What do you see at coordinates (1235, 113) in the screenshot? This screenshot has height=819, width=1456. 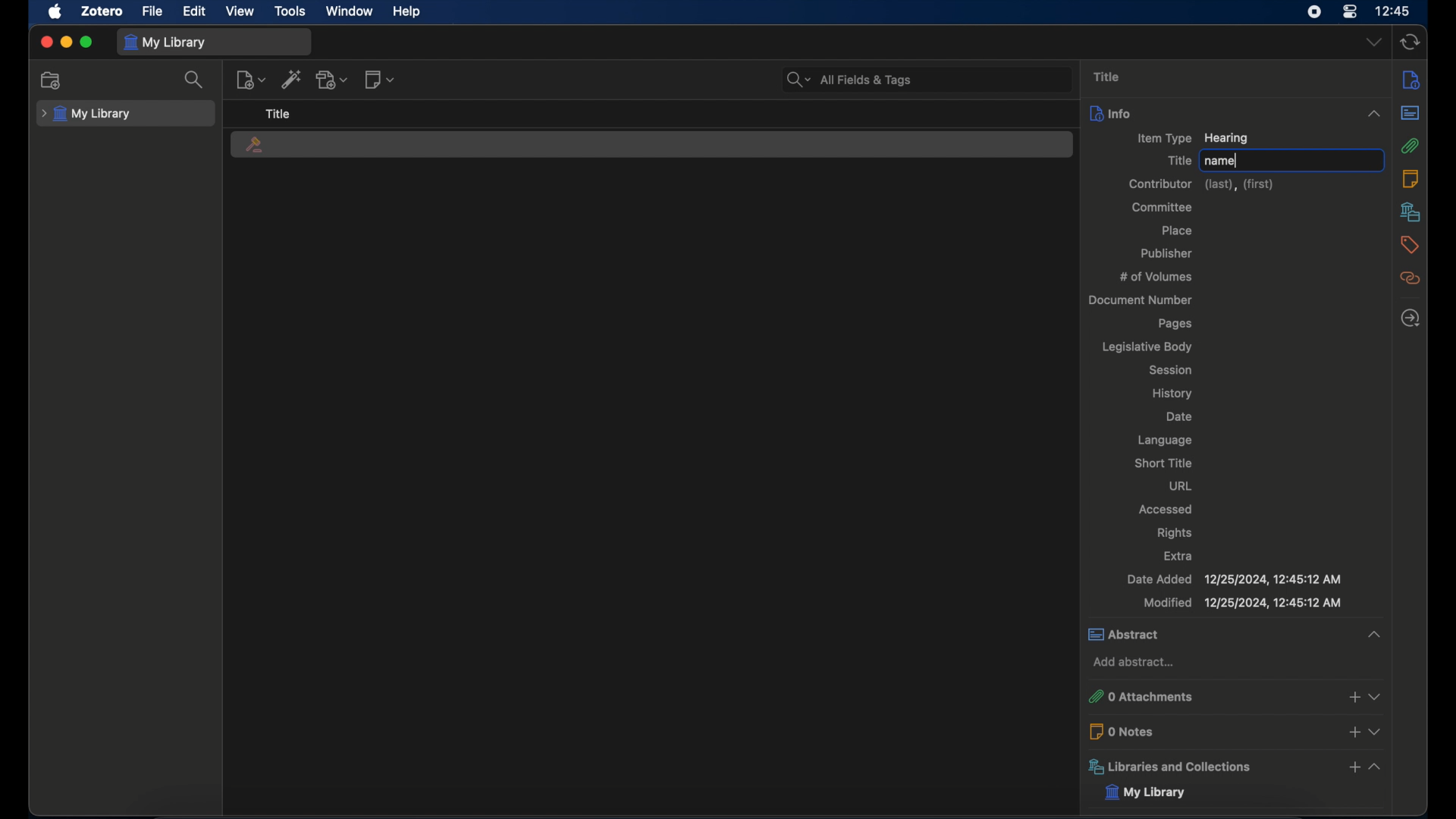 I see `info` at bounding box center [1235, 113].